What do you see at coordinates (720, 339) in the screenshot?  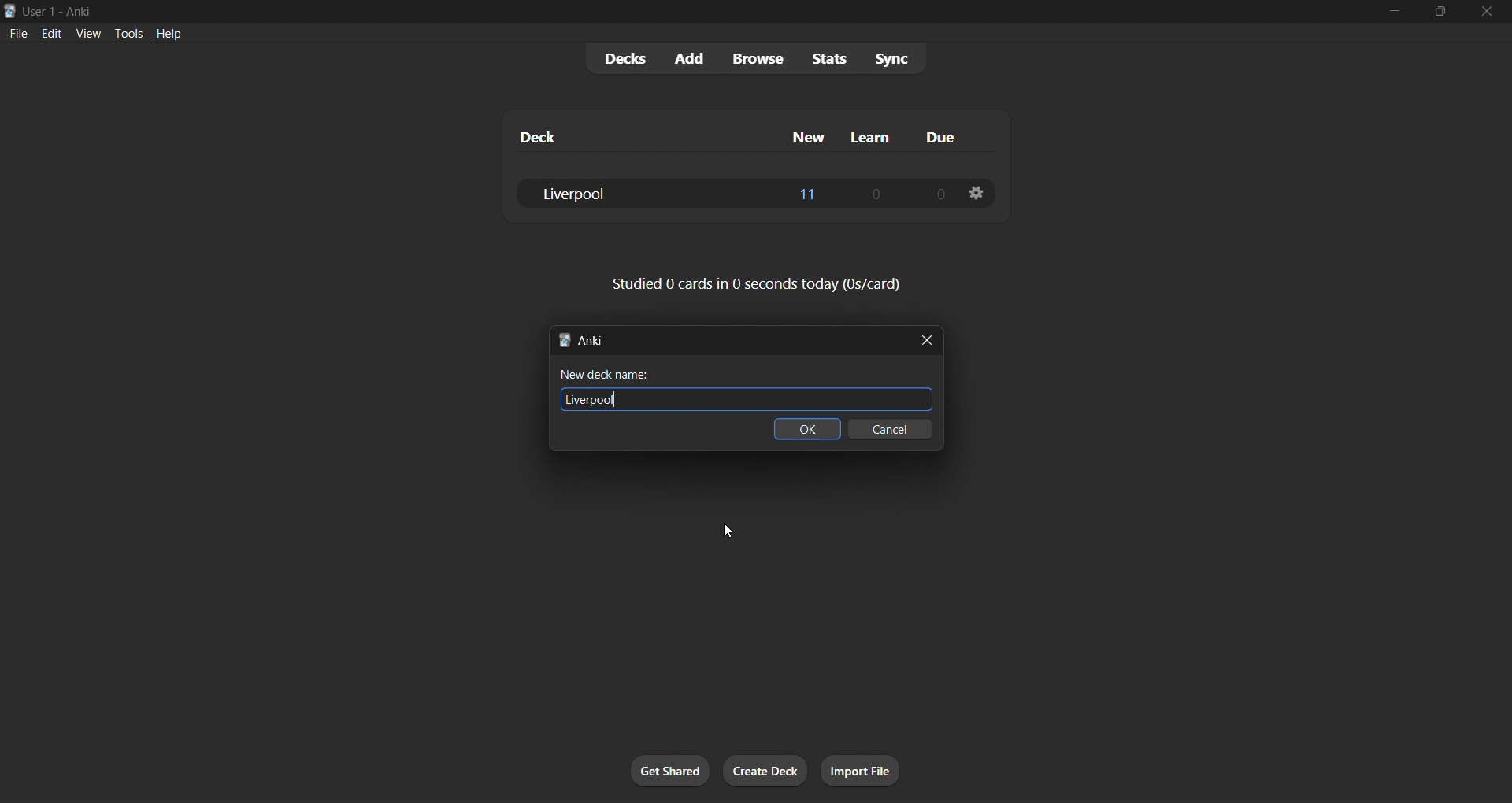 I see `new deck title bar` at bounding box center [720, 339].